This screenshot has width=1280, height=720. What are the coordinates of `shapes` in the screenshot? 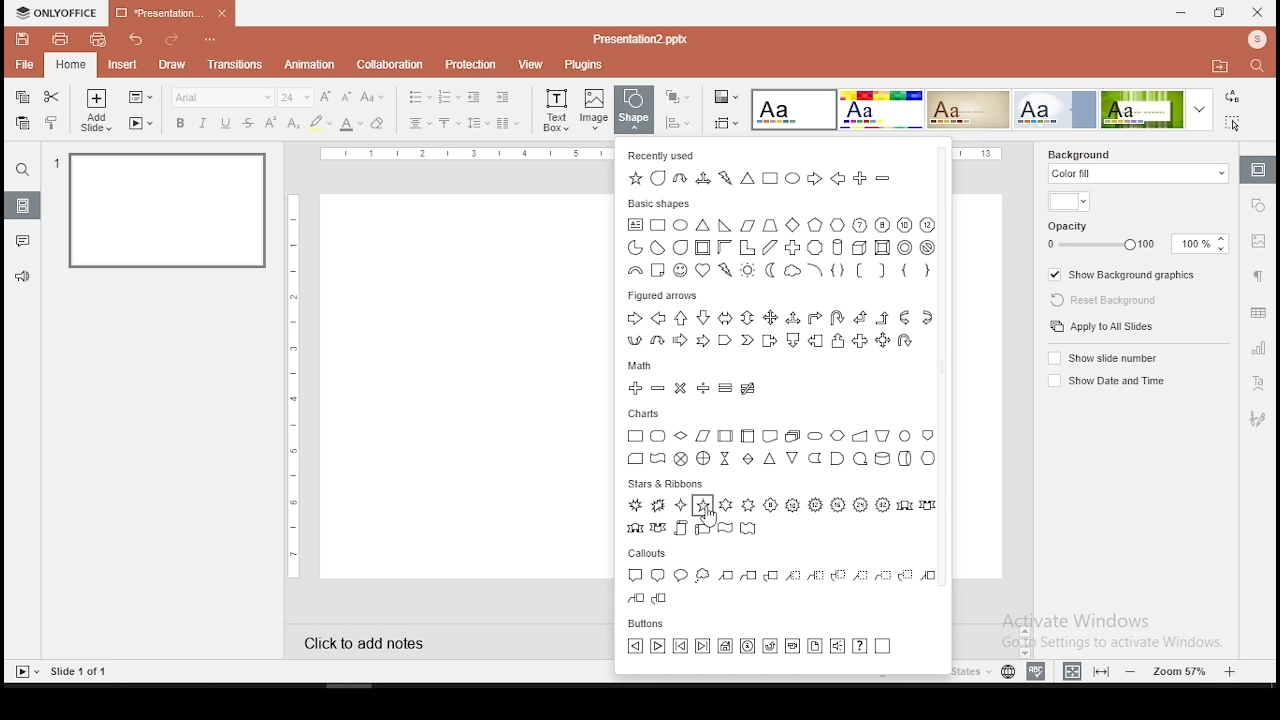 It's located at (632, 110).